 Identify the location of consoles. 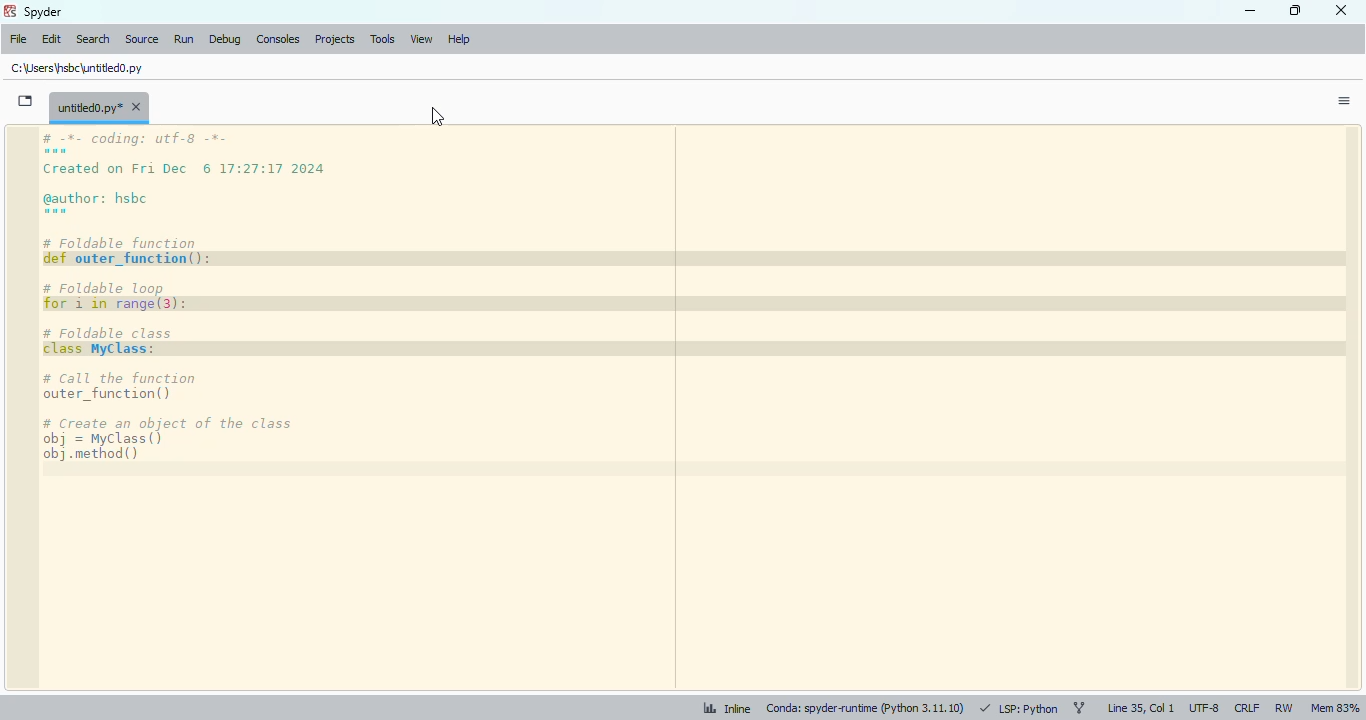
(277, 39).